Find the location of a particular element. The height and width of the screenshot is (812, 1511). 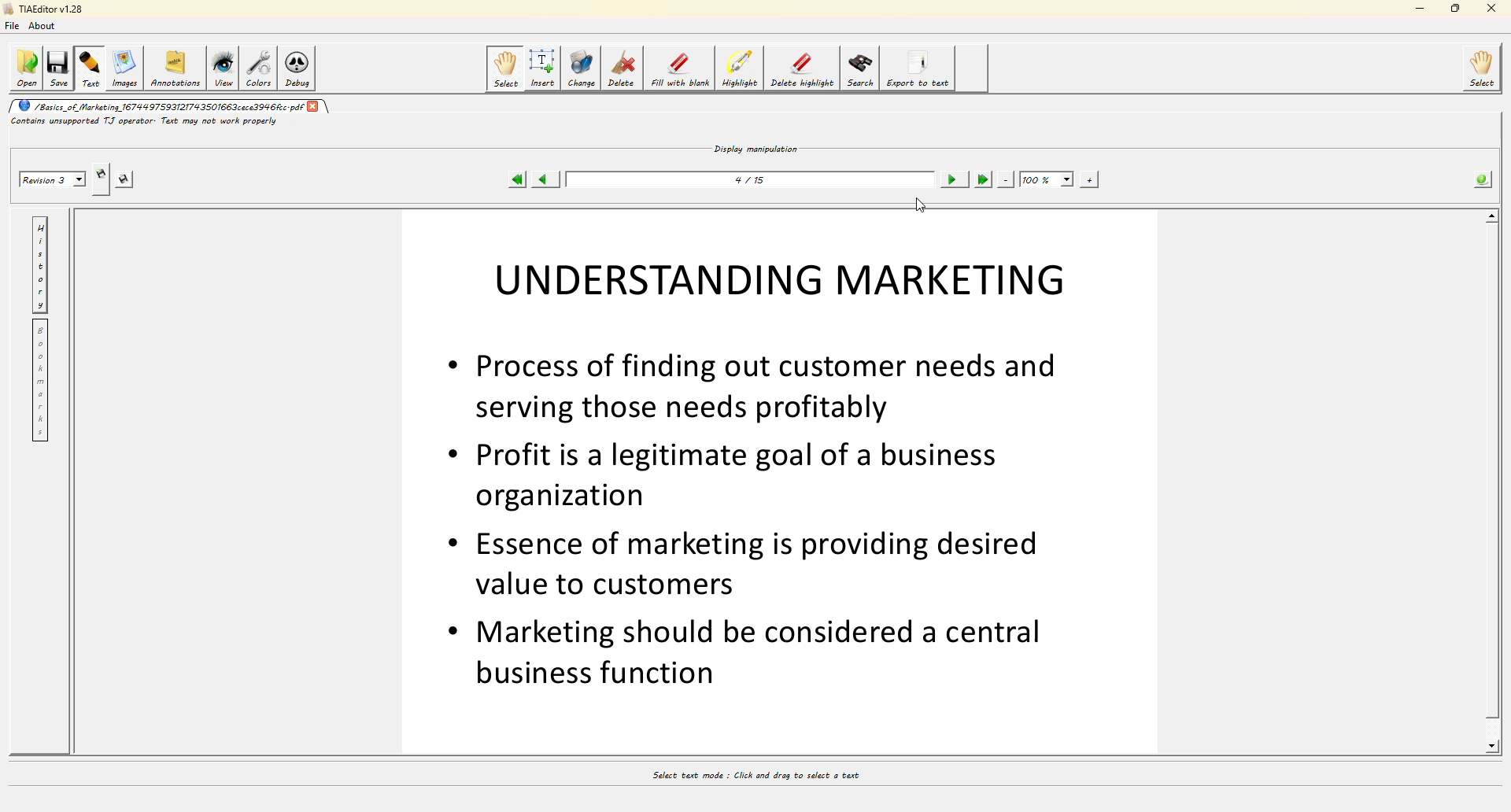

history is located at coordinates (41, 264).